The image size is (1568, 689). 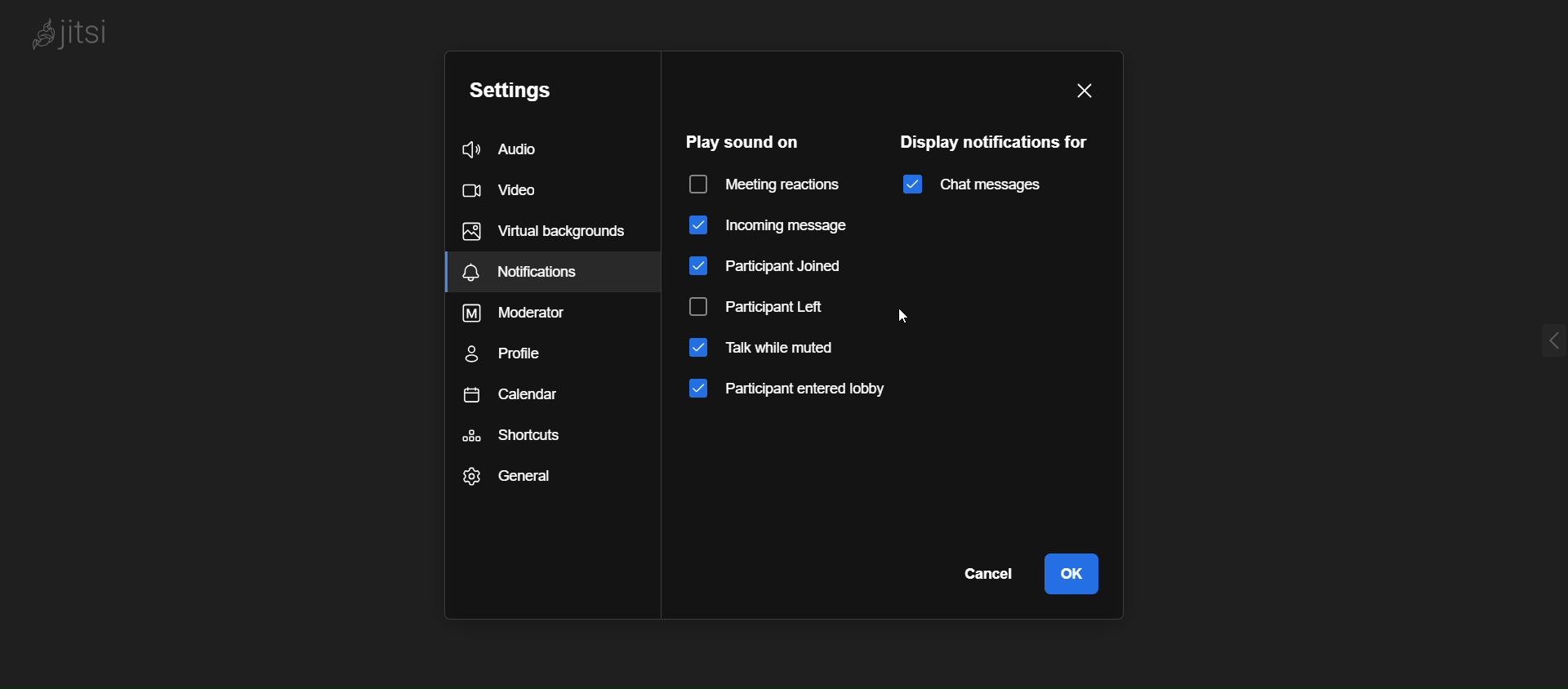 I want to click on participant entered lobby, so click(x=808, y=393).